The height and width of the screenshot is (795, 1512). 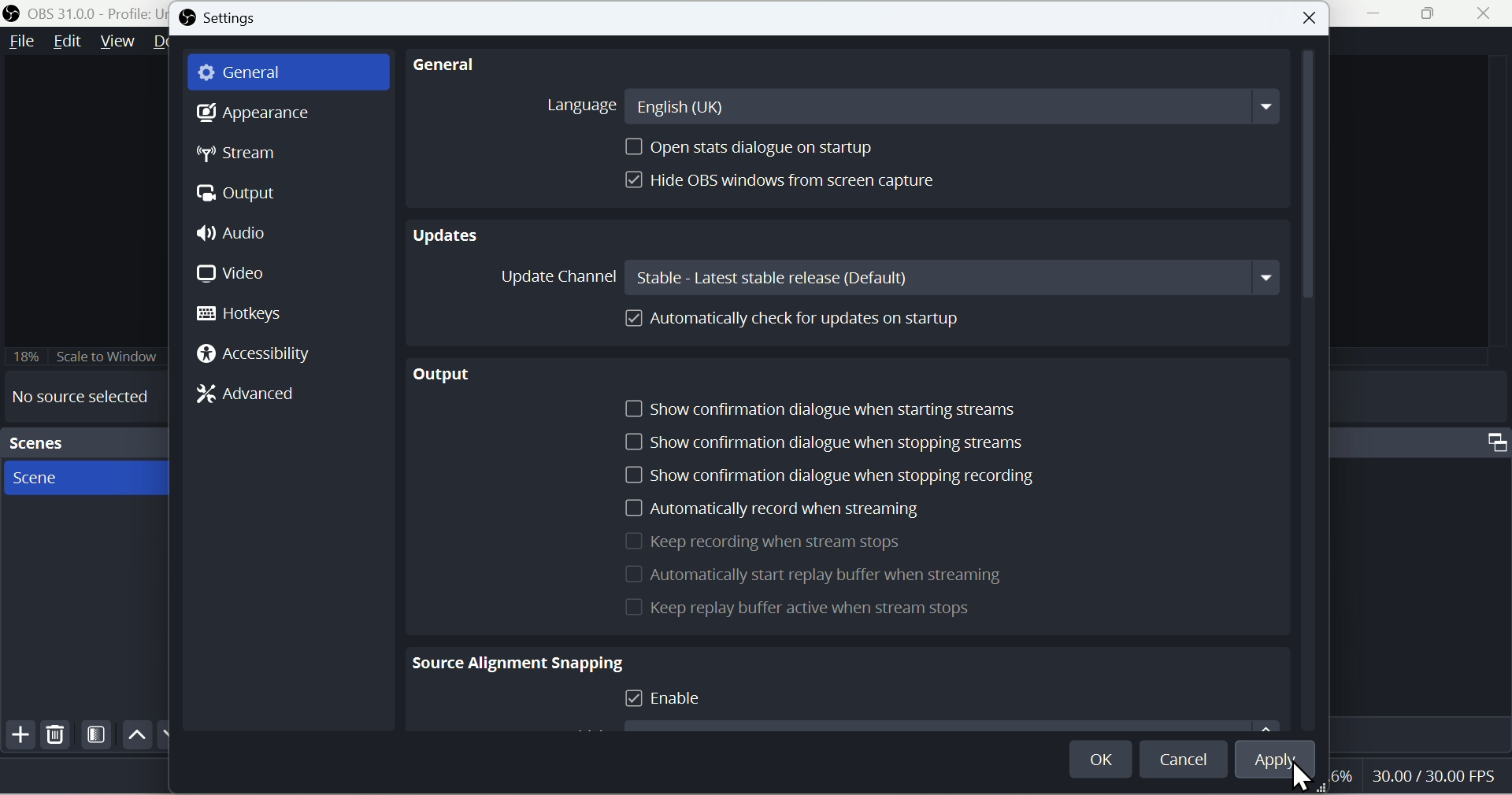 What do you see at coordinates (1432, 13) in the screenshot?
I see `Window Expand` at bounding box center [1432, 13].